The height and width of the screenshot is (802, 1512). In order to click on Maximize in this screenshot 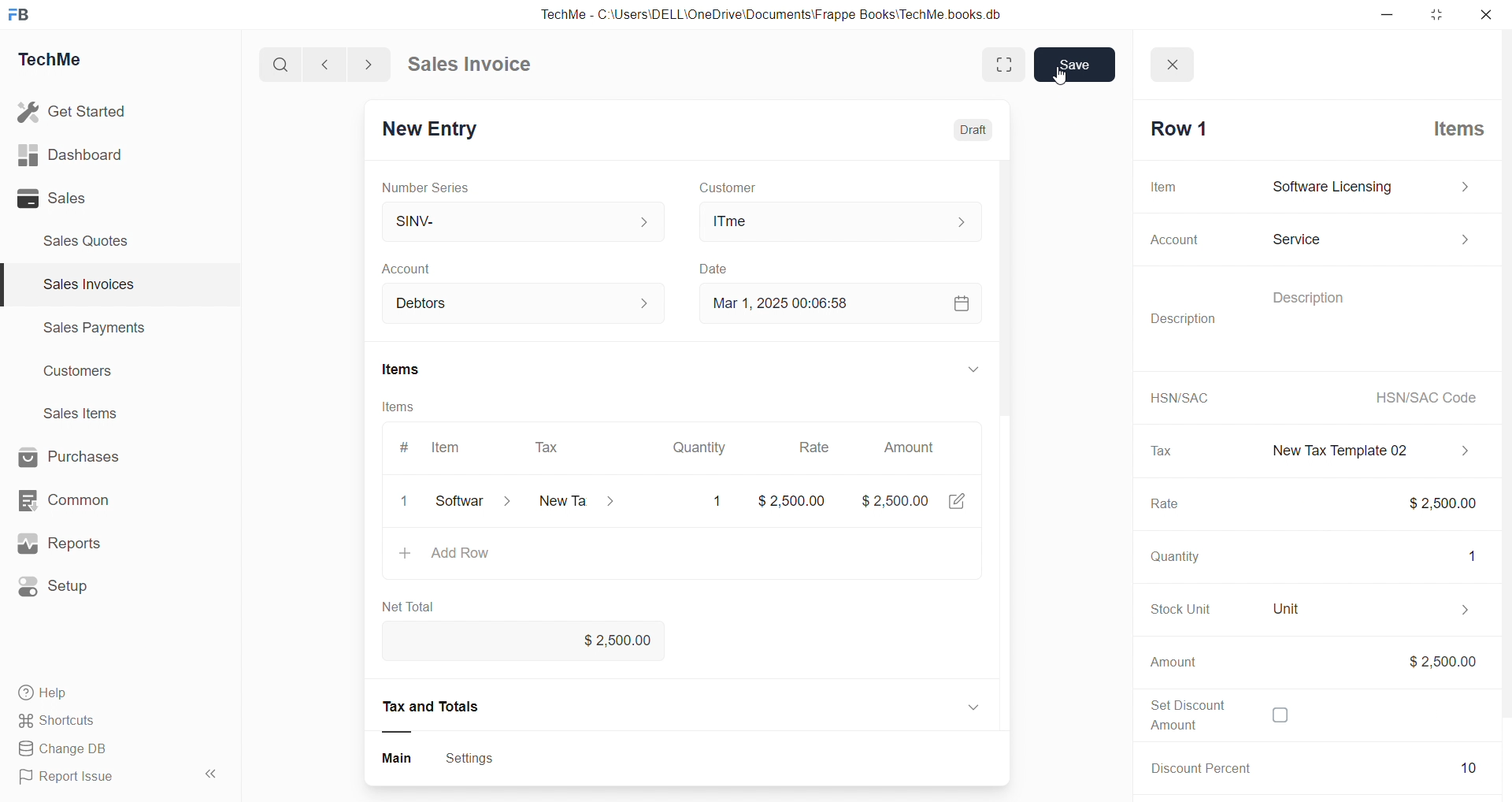, I will do `click(1439, 18)`.